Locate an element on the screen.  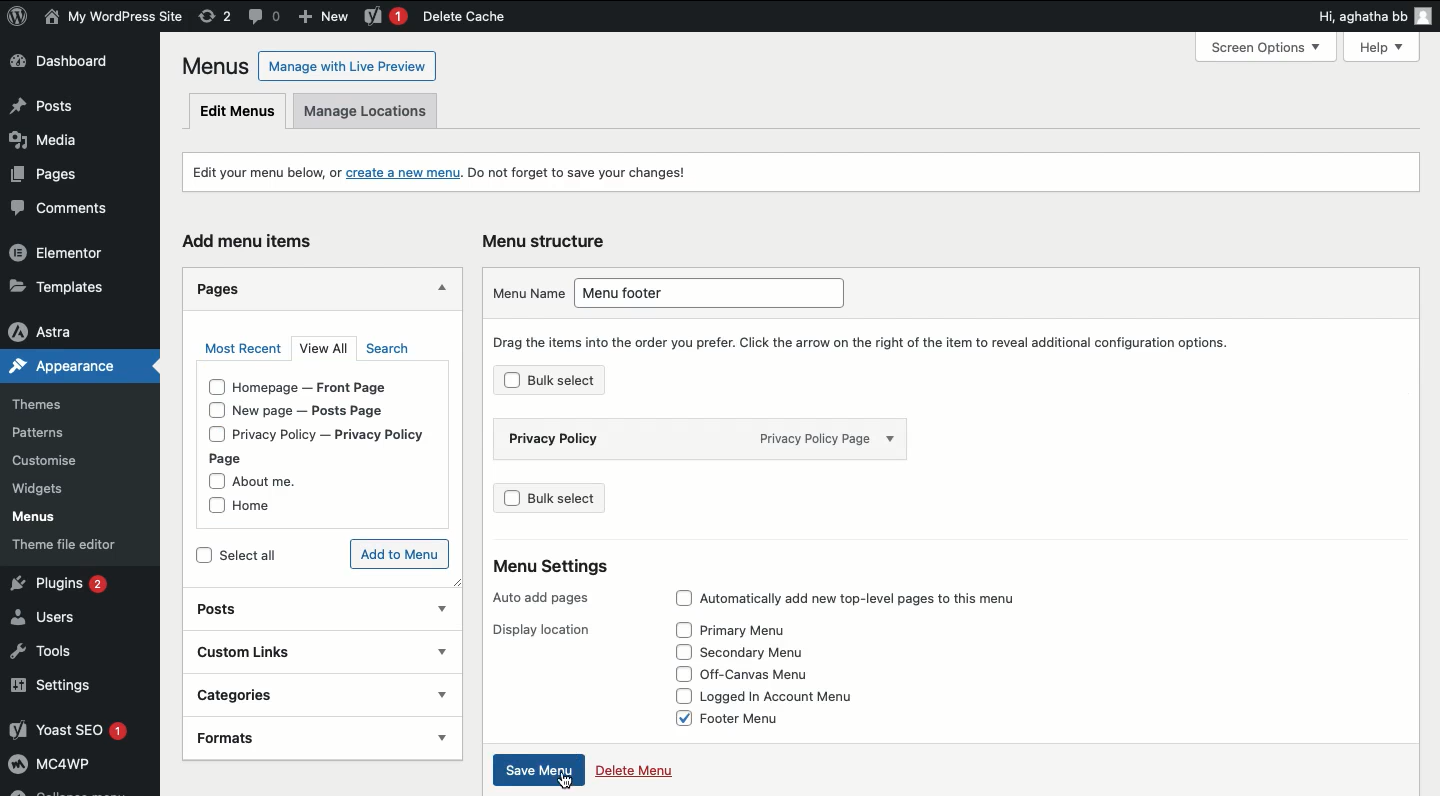
WordPress Logo is located at coordinates (18, 16).